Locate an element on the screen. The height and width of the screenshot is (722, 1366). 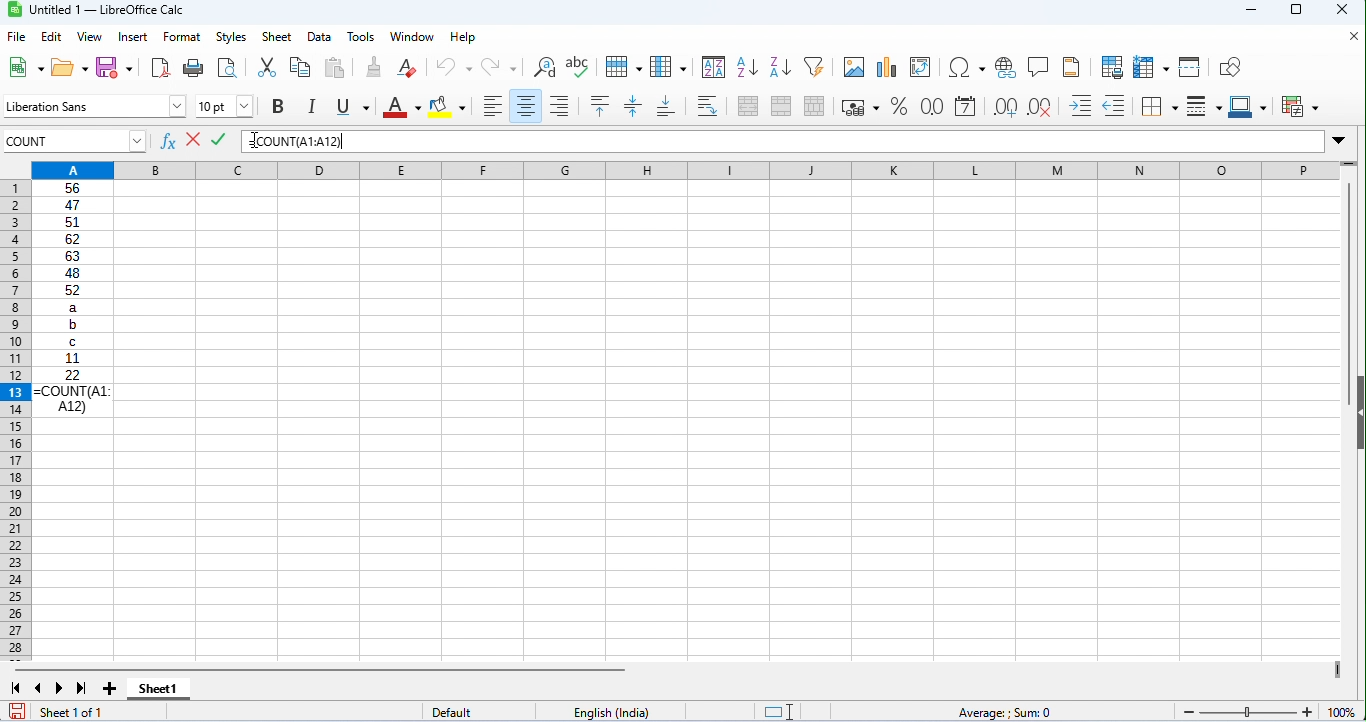
Software logo is located at coordinates (16, 10).